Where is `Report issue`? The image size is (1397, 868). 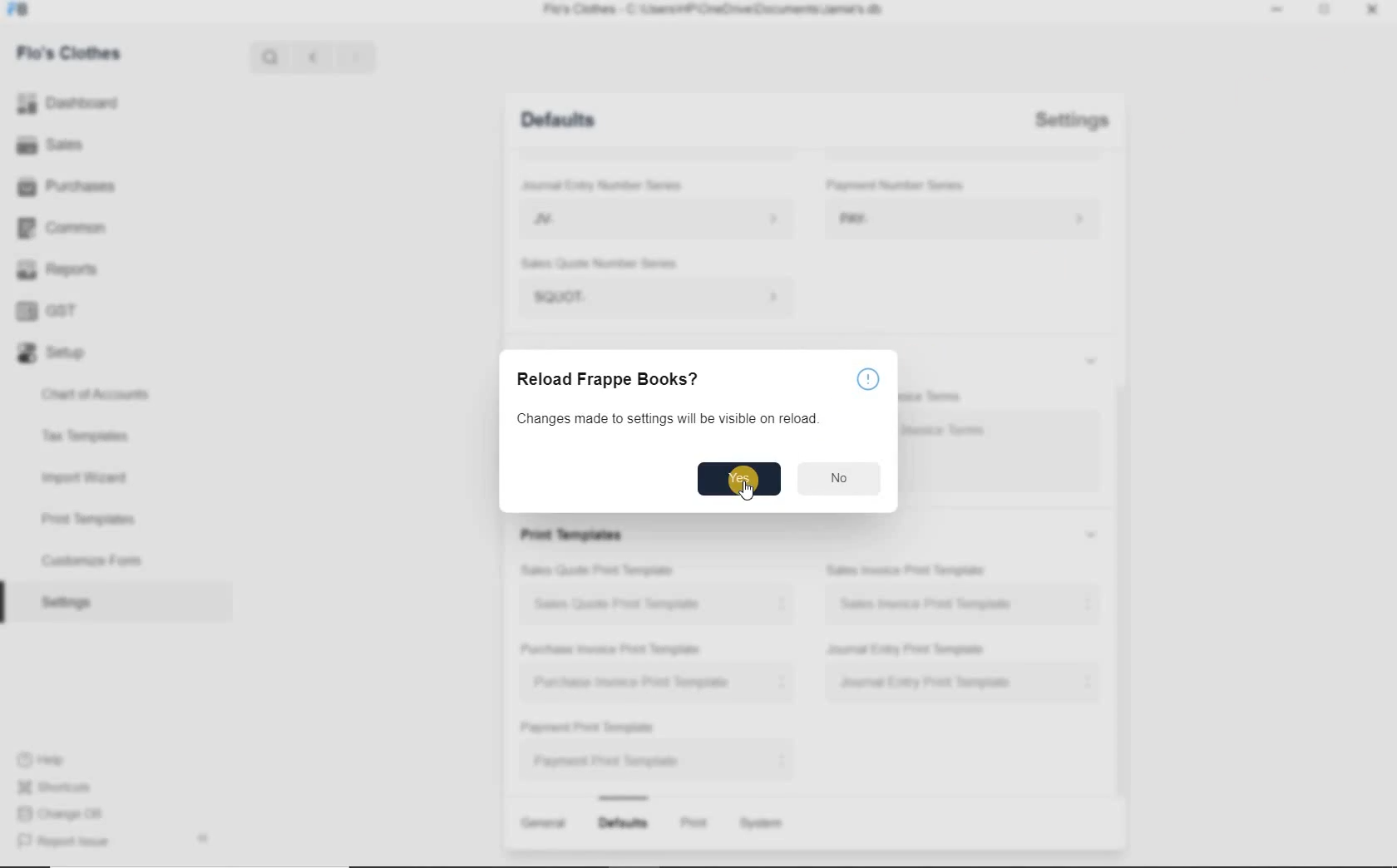
Report issue is located at coordinates (65, 842).